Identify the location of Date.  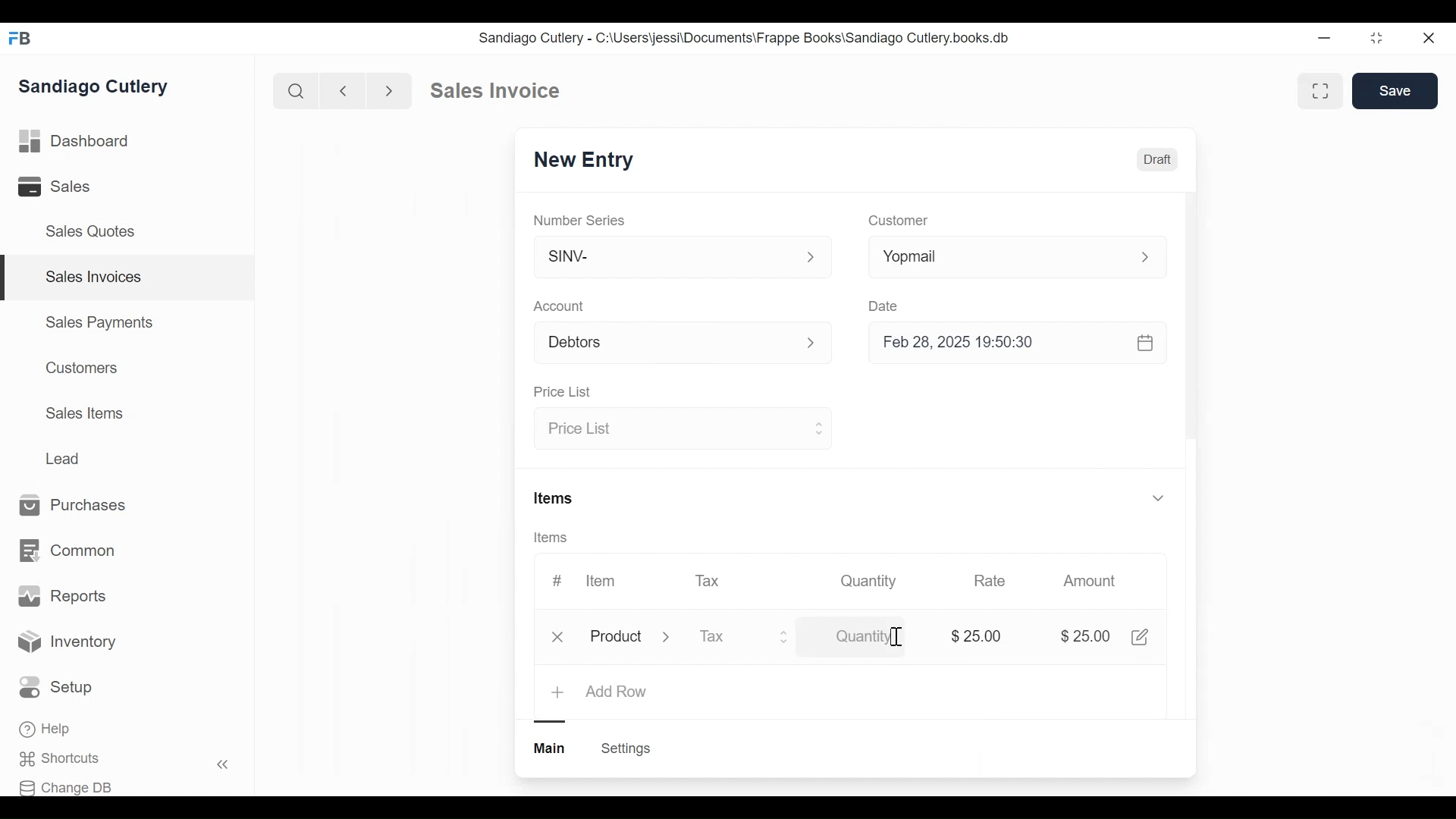
(886, 306).